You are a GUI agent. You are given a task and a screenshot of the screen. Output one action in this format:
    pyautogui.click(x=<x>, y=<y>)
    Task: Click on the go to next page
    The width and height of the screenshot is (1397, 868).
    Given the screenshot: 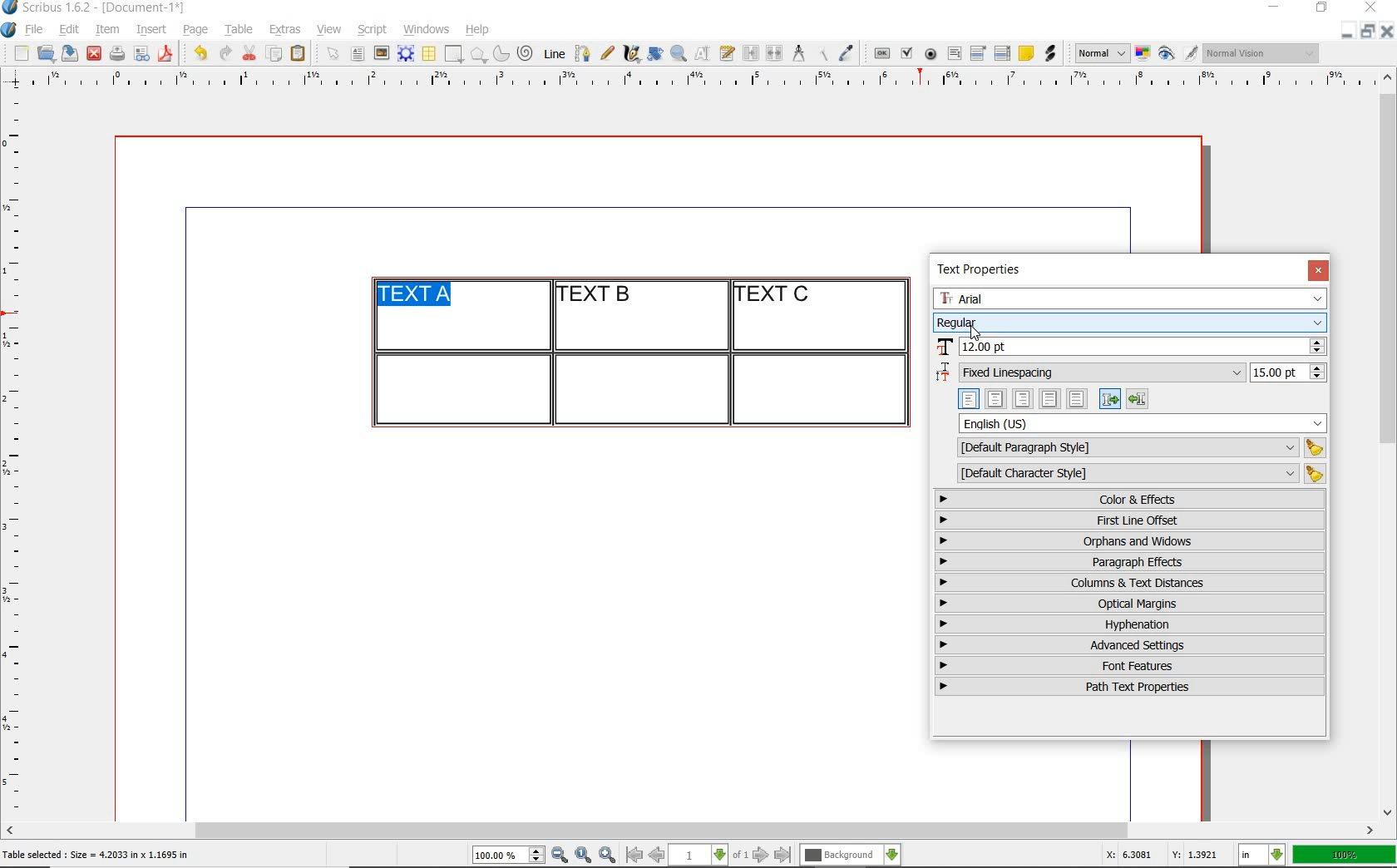 What is the action you would take?
    pyautogui.click(x=761, y=856)
    